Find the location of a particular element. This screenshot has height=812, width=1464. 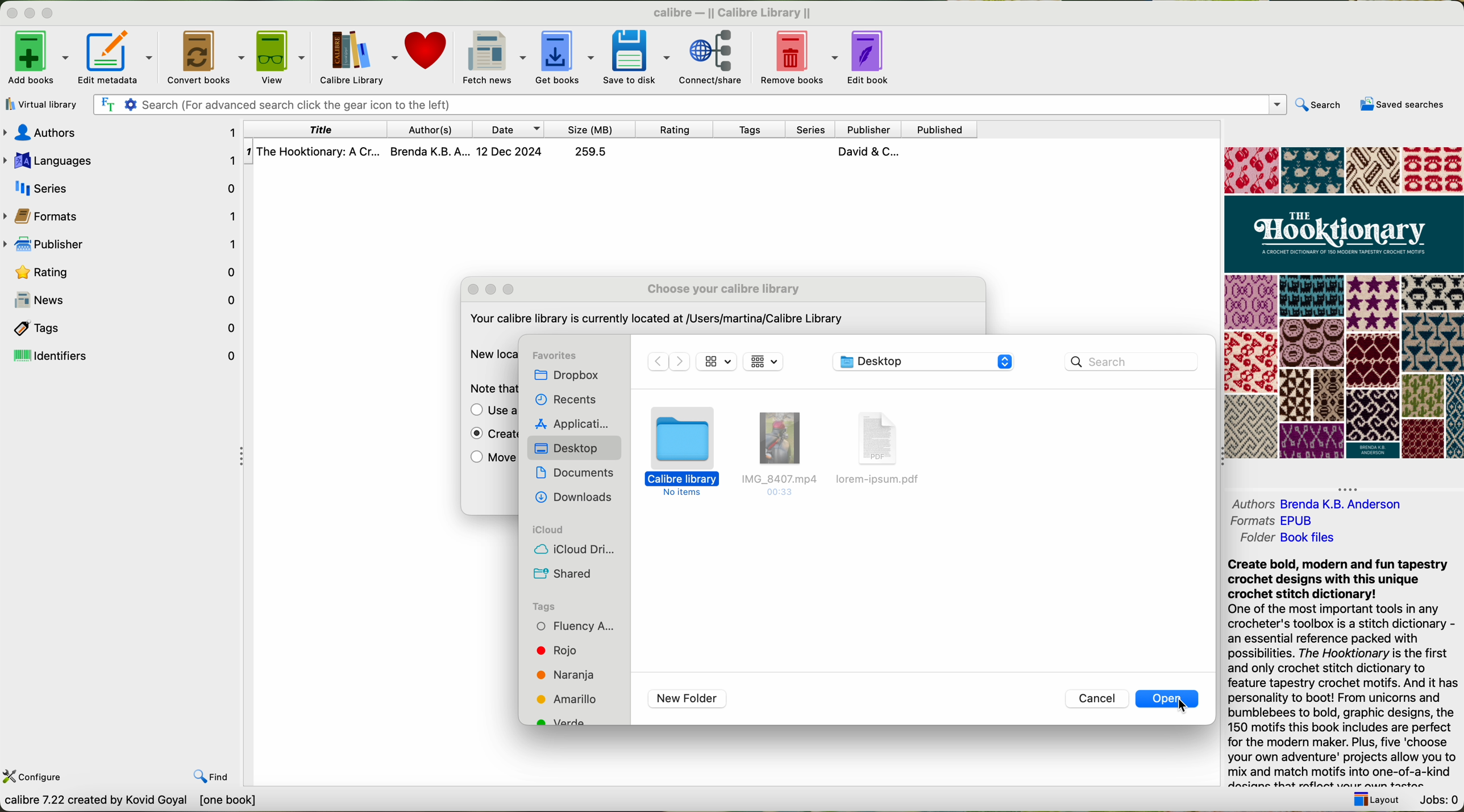

rating is located at coordinates (681, 130).